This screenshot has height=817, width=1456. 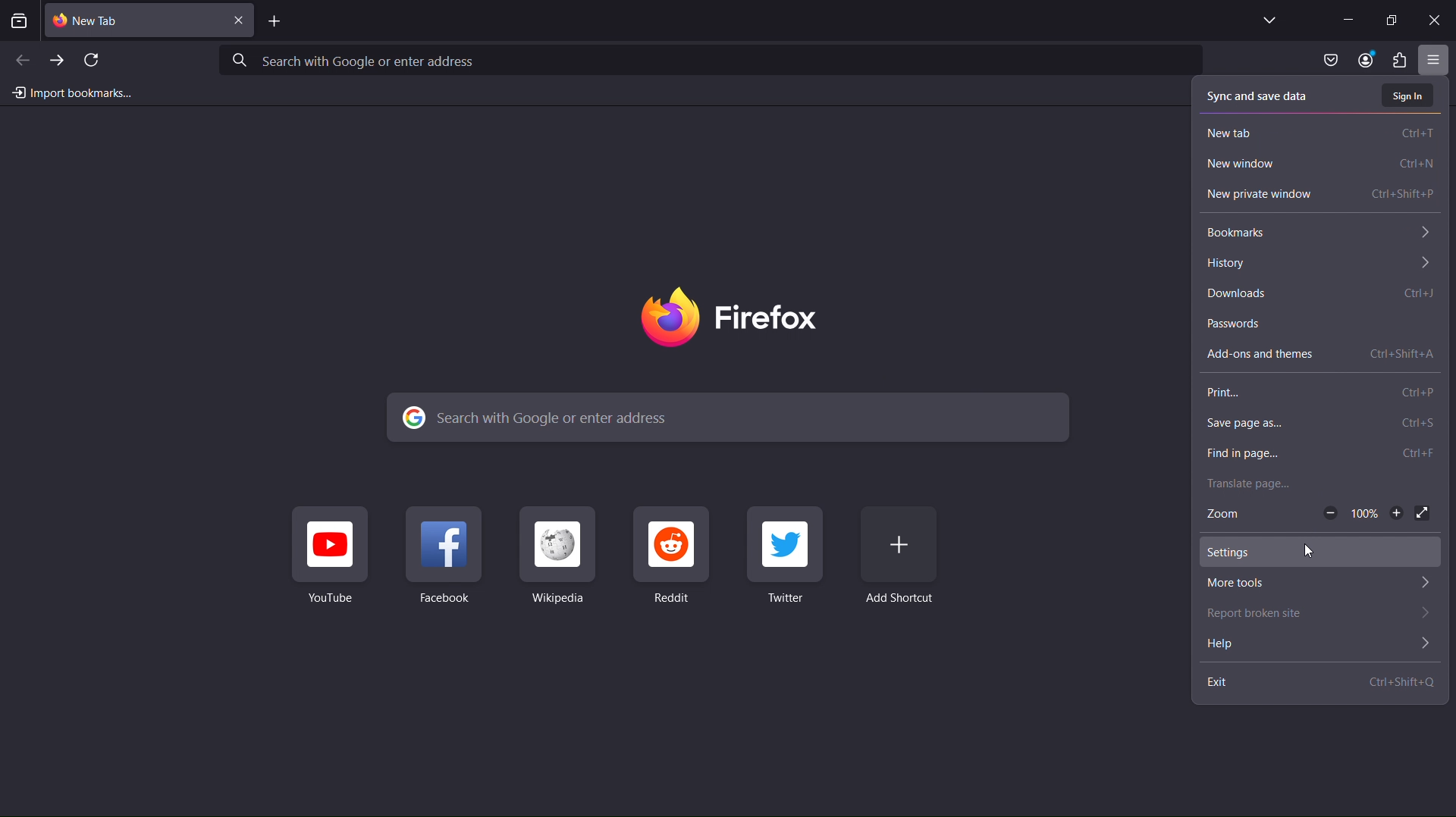 What do you see at coordinates (1321, 455) in the screenshot?
I see `Find in page...` at bounding box center [1321, 455].